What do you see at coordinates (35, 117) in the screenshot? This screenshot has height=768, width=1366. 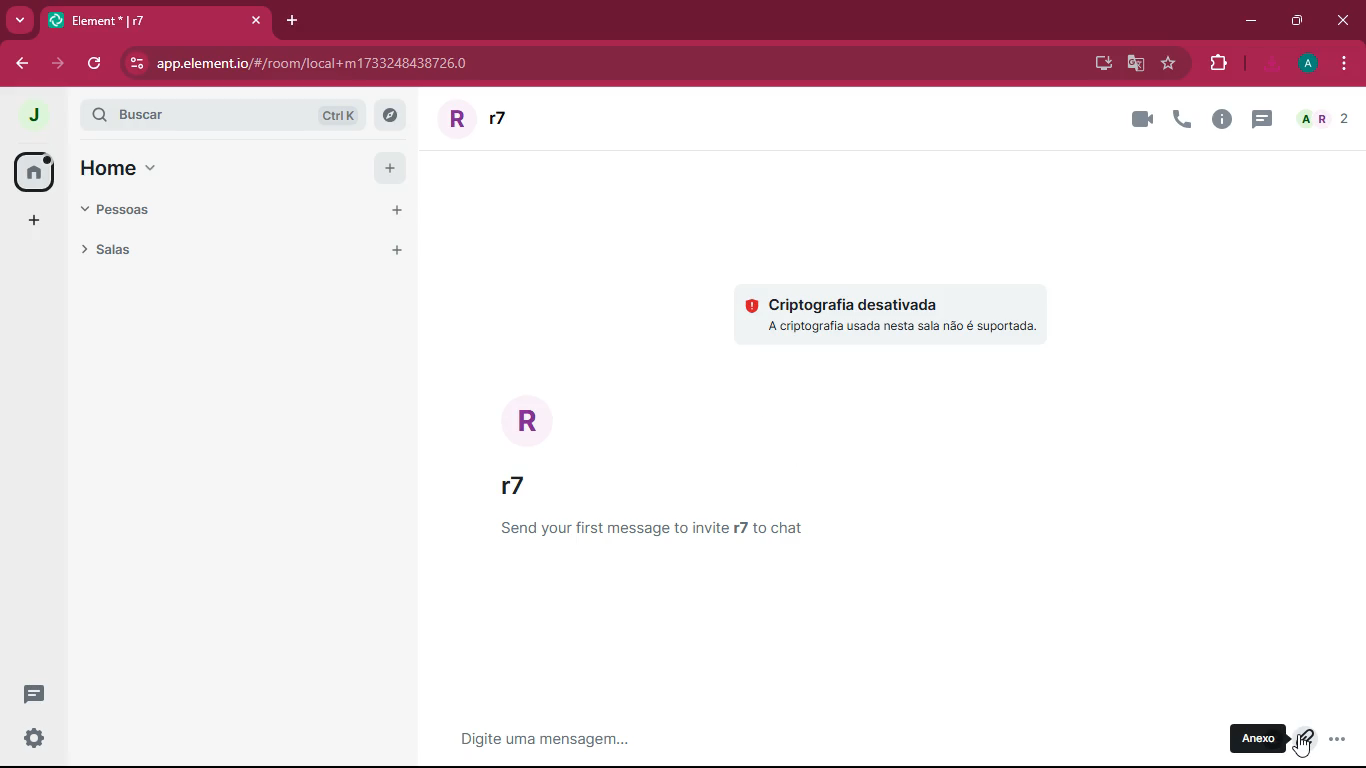 I see `profile picture` at bounding box center [35, 117].